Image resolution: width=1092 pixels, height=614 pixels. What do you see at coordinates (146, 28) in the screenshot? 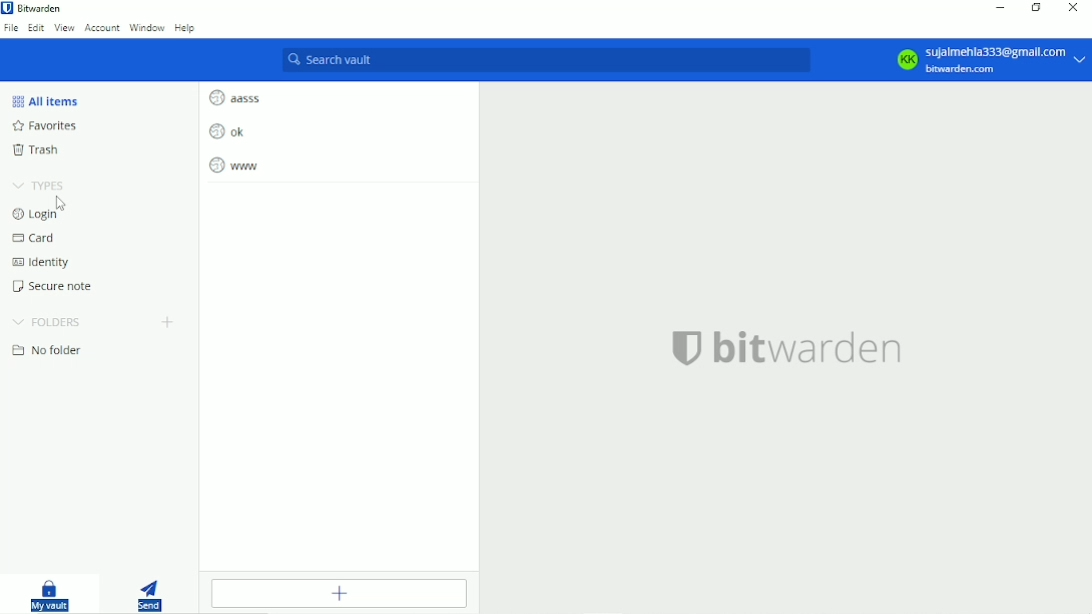
I see `Window` at bounding box center [146, 28].